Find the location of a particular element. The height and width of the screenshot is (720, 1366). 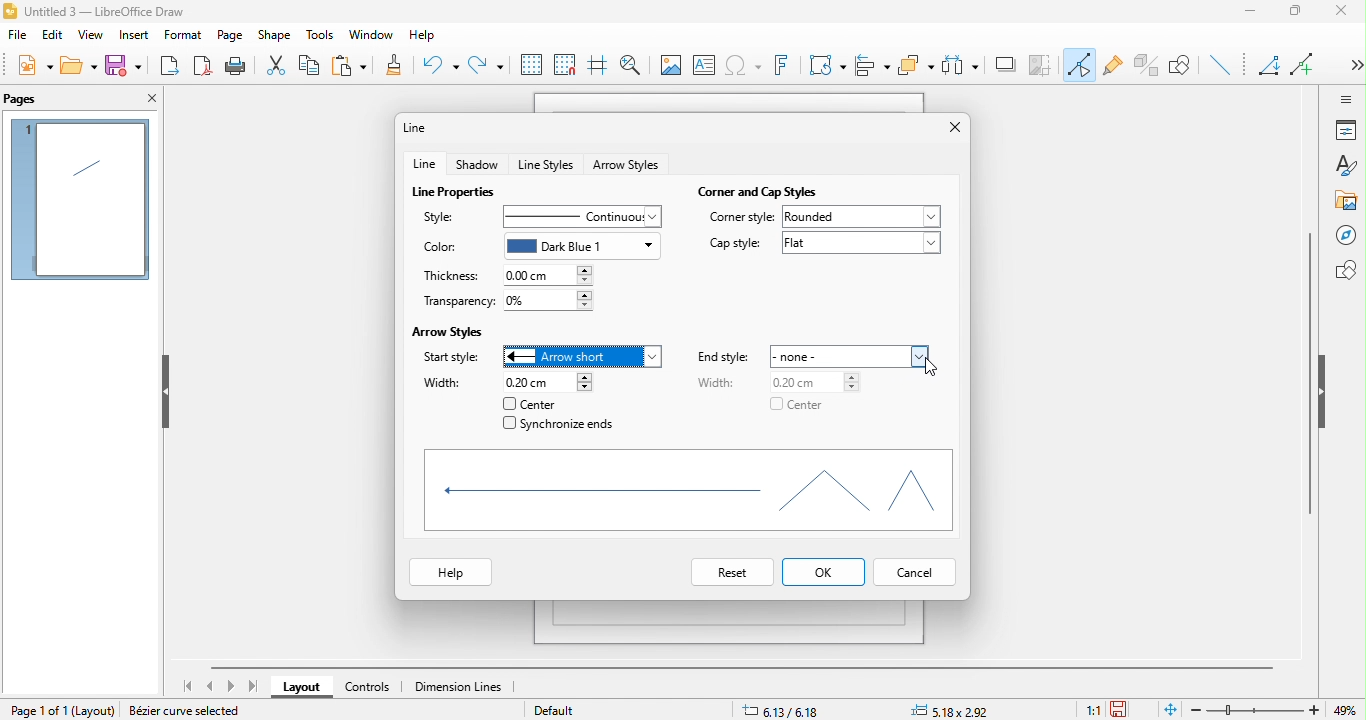

helpline while moving is located at coordinates (596, 67).